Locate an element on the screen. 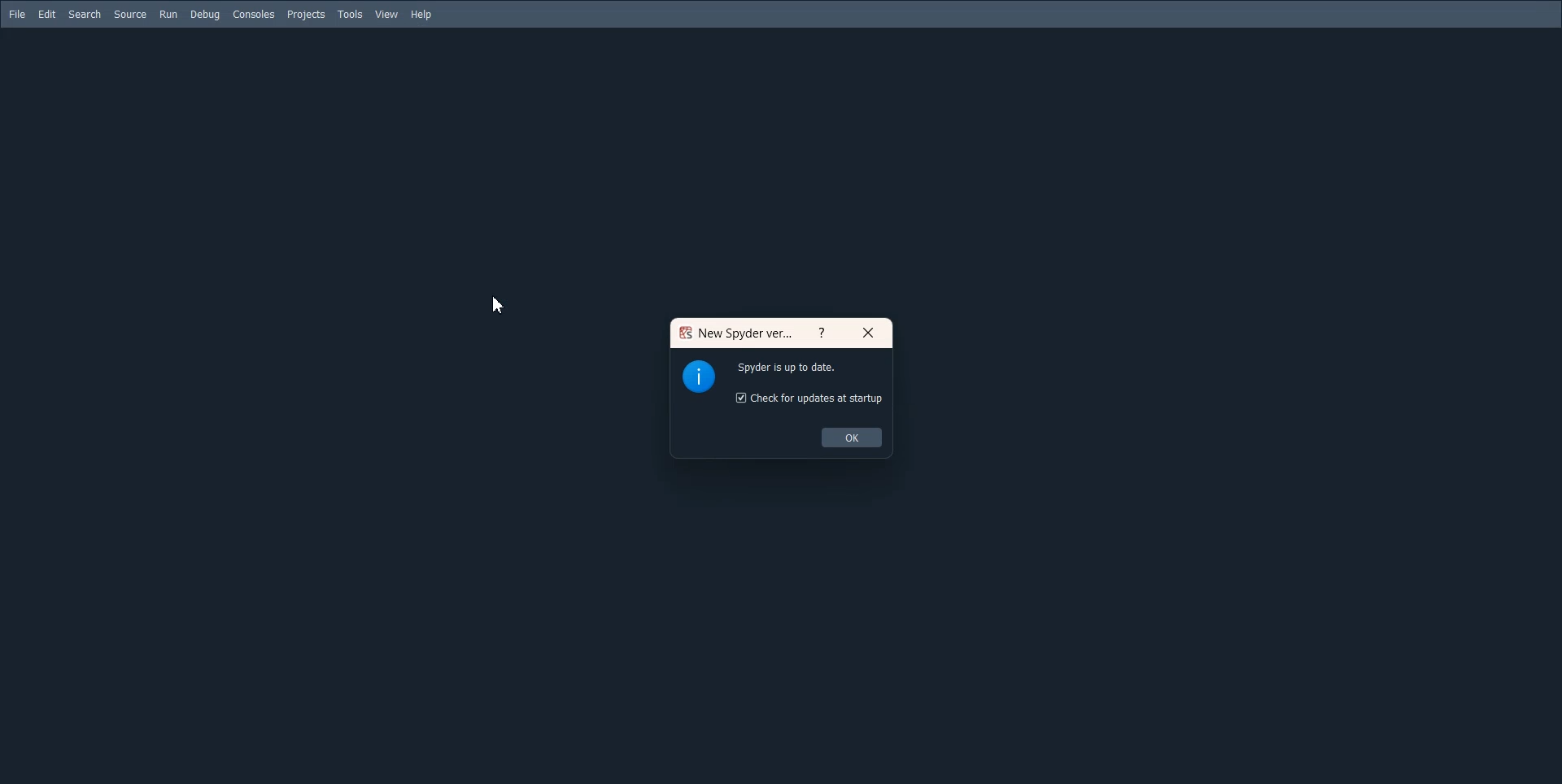 The image size is (1562, 784). Run is located at coordinates (168, 15).